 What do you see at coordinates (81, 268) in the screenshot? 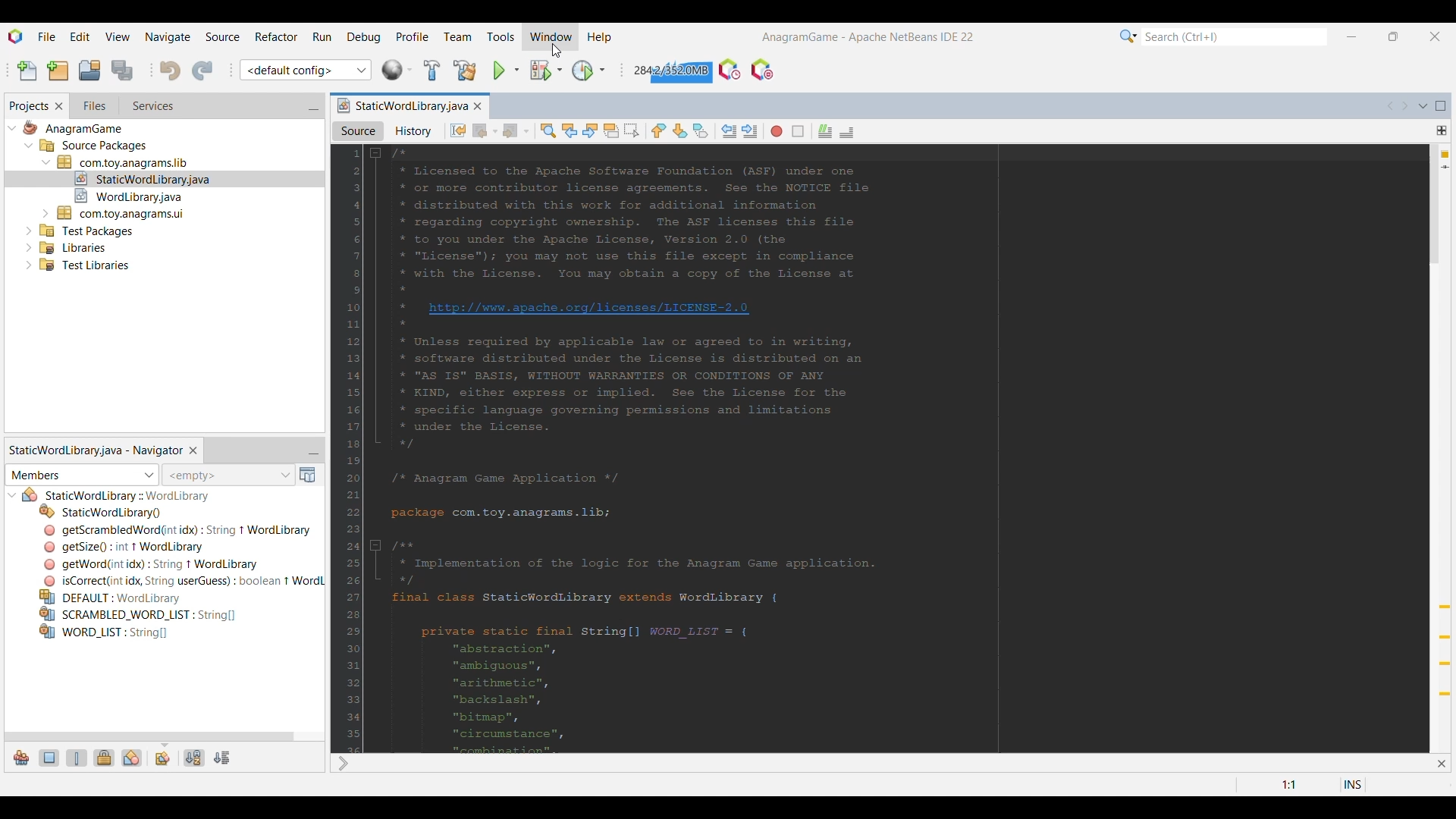
I see `` at bounding box center [81, 268].